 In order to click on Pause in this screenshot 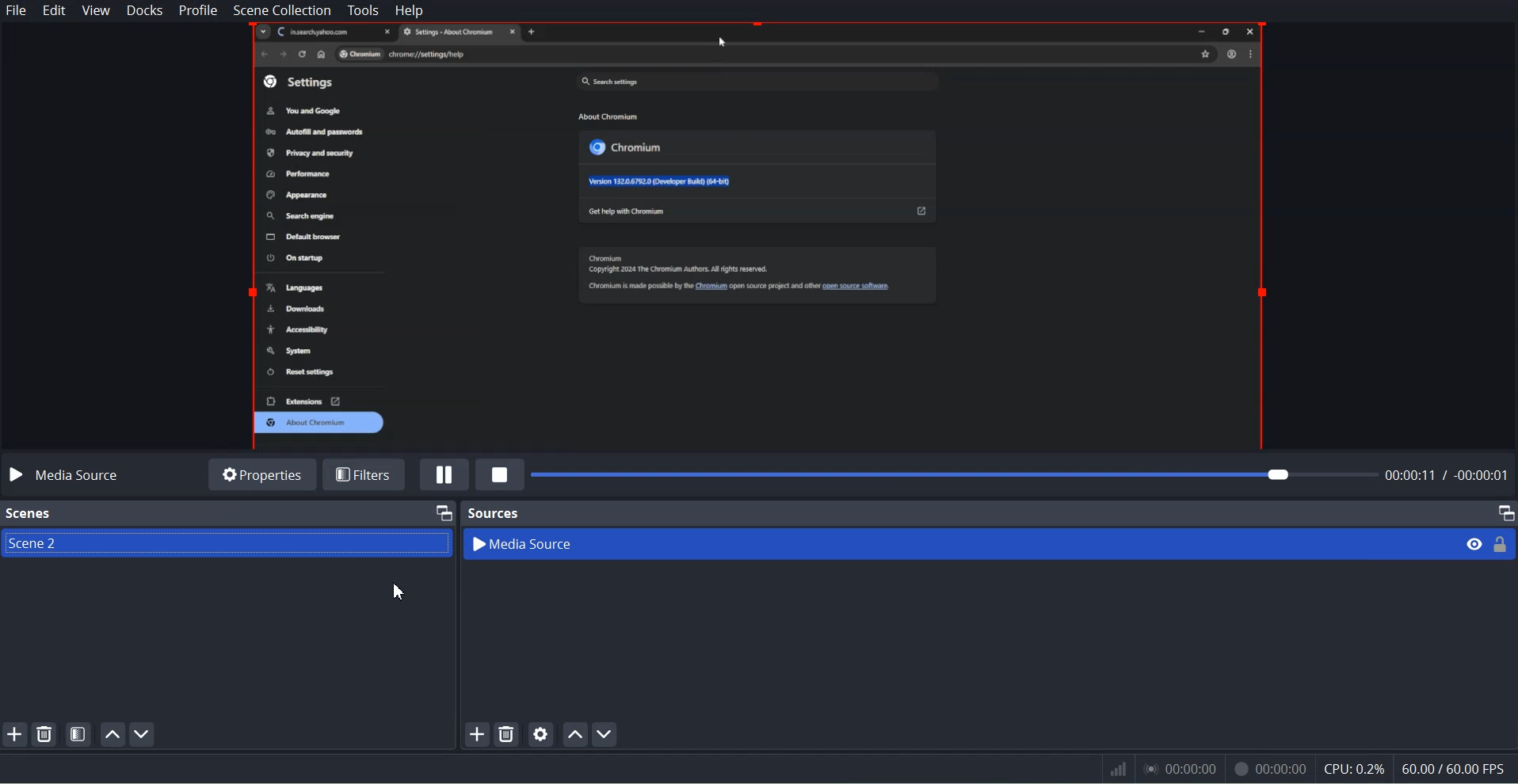, I will do `click(444, 475)`.